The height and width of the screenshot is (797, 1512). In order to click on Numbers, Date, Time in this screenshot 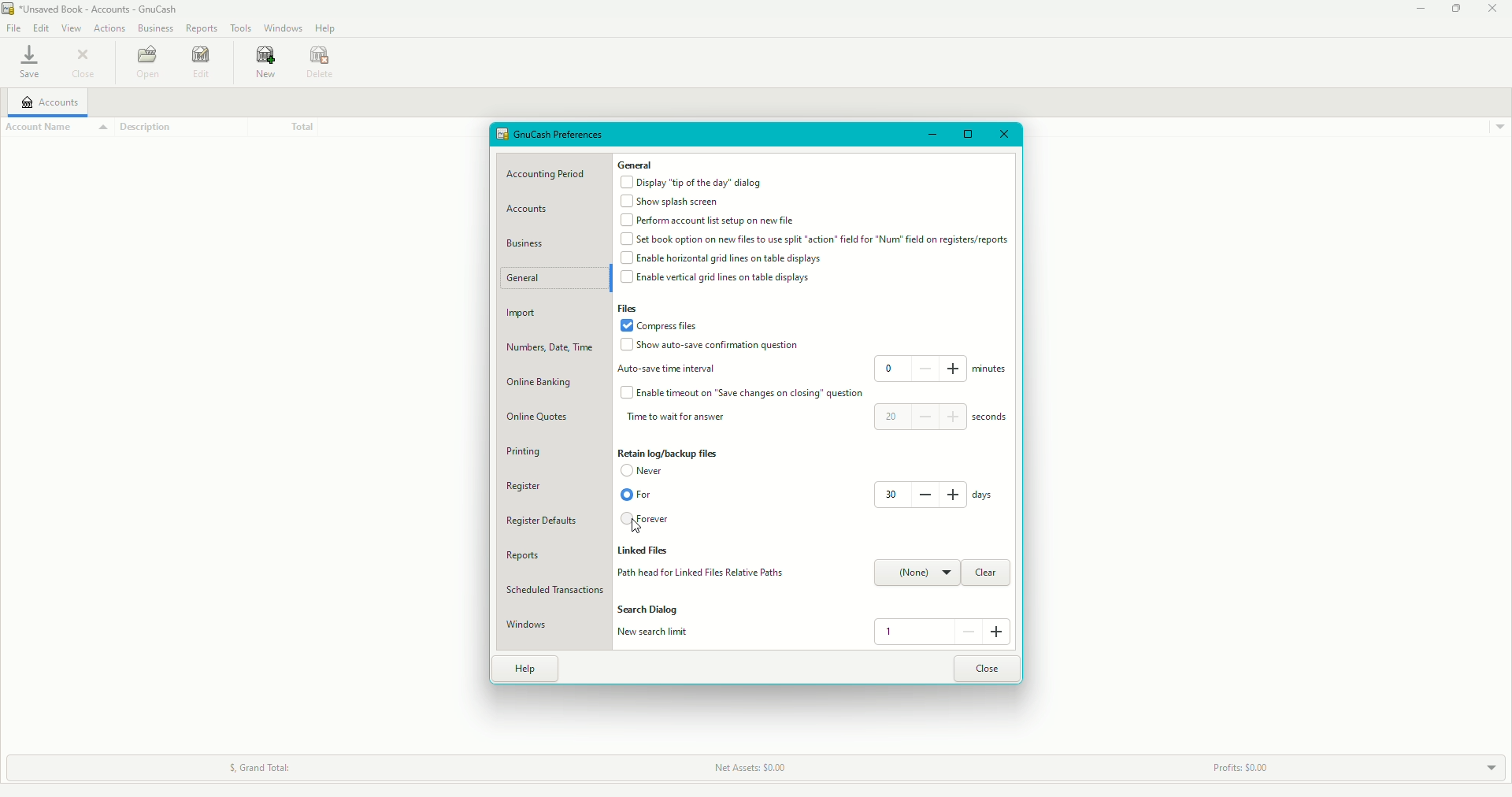, I will do `click(553, 350)`.